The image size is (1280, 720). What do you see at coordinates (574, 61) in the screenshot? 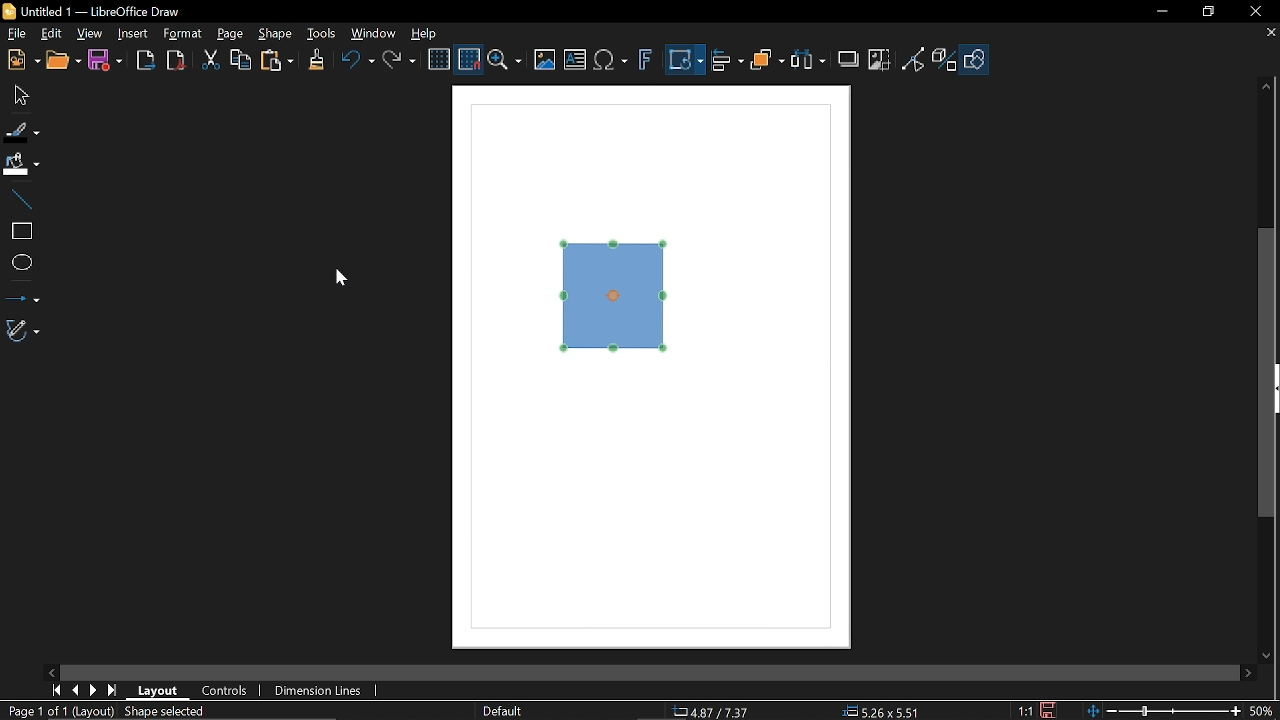
I see `Insert text` at bounding box center [574, 61].